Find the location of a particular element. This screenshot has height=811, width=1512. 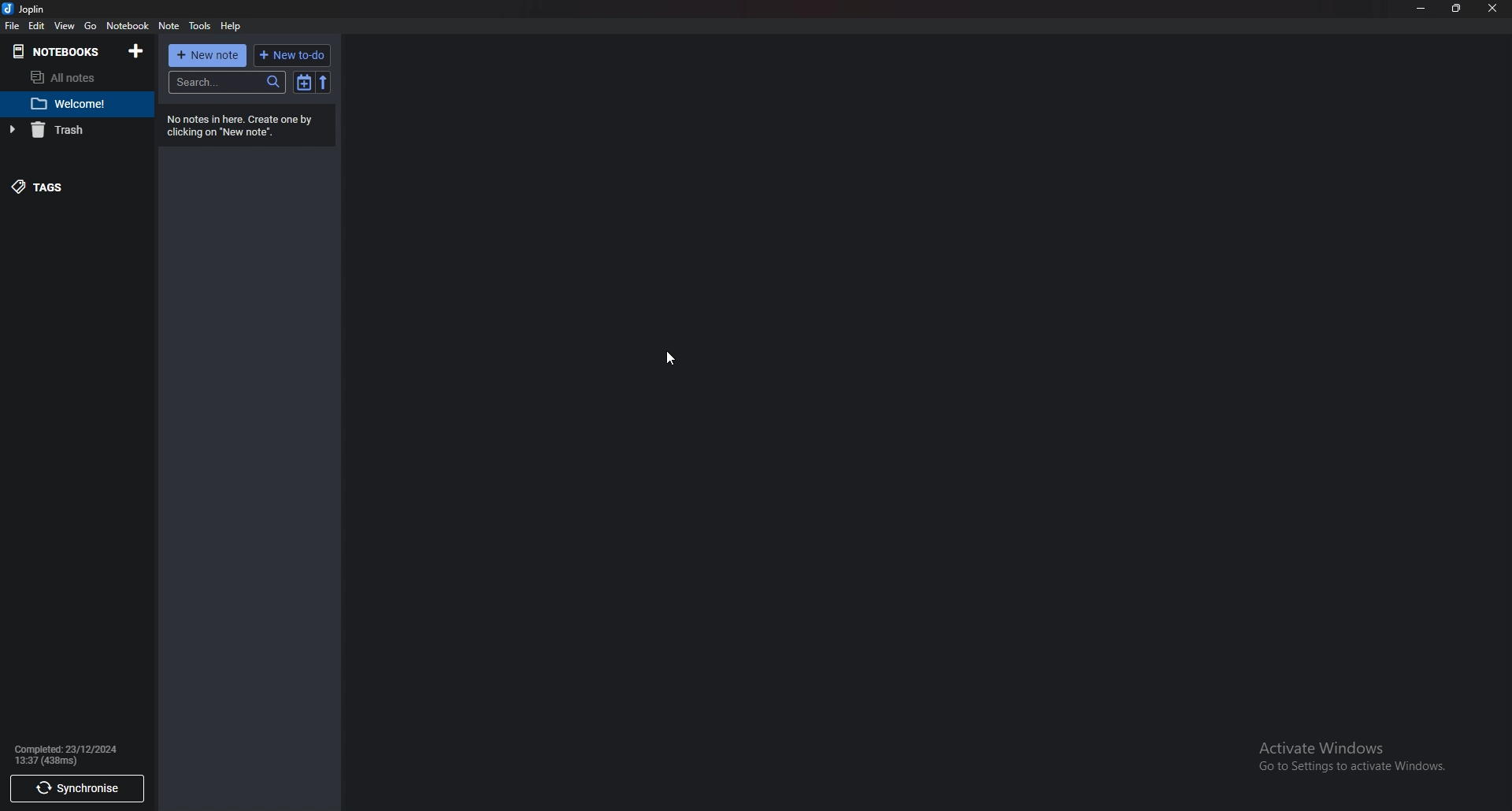

close is located at coordinates (1491, 8).